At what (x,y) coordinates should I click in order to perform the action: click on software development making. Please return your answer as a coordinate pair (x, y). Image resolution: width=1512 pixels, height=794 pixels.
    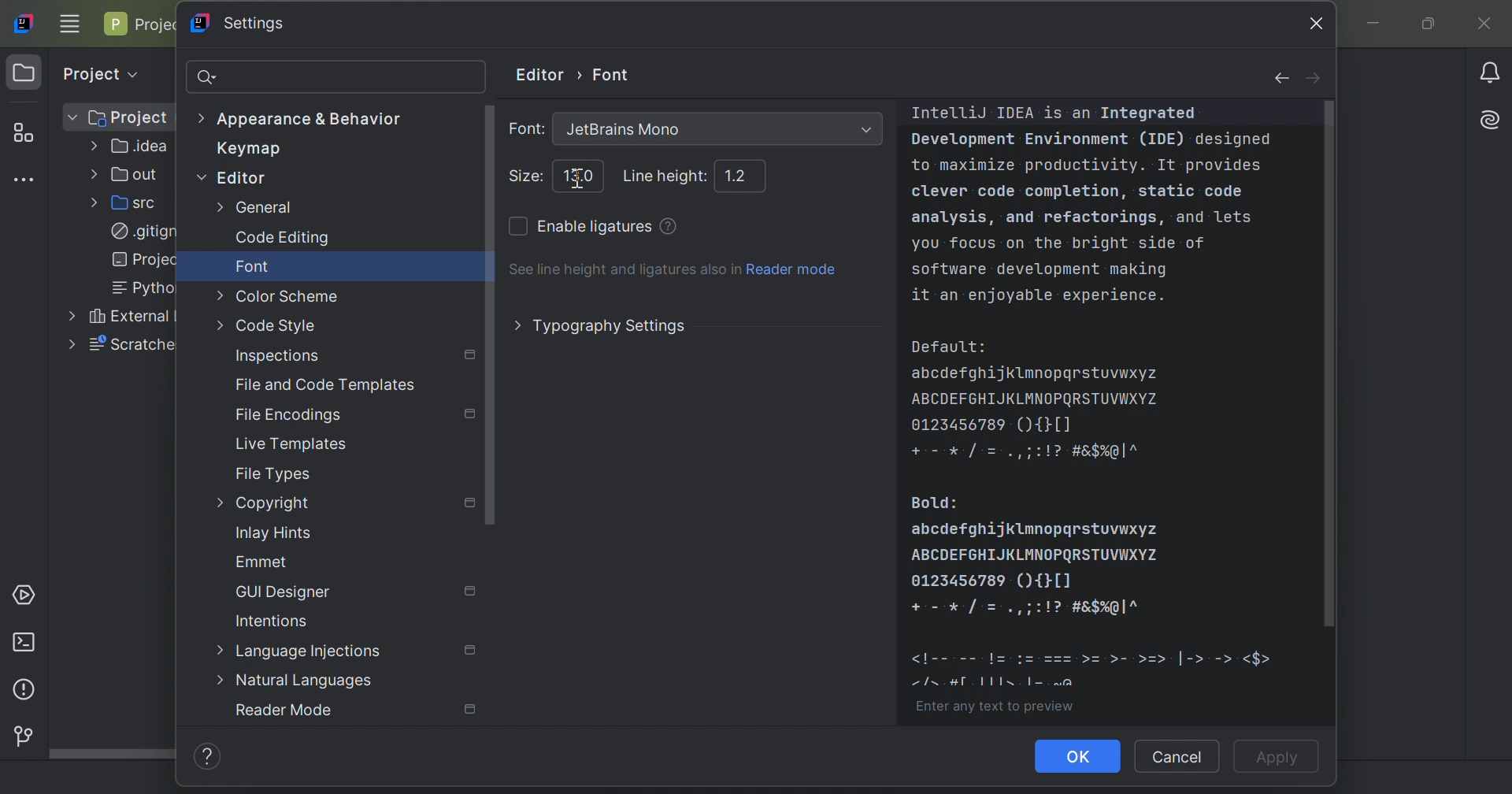
    Looking at the image, I should click on (1040, 269).